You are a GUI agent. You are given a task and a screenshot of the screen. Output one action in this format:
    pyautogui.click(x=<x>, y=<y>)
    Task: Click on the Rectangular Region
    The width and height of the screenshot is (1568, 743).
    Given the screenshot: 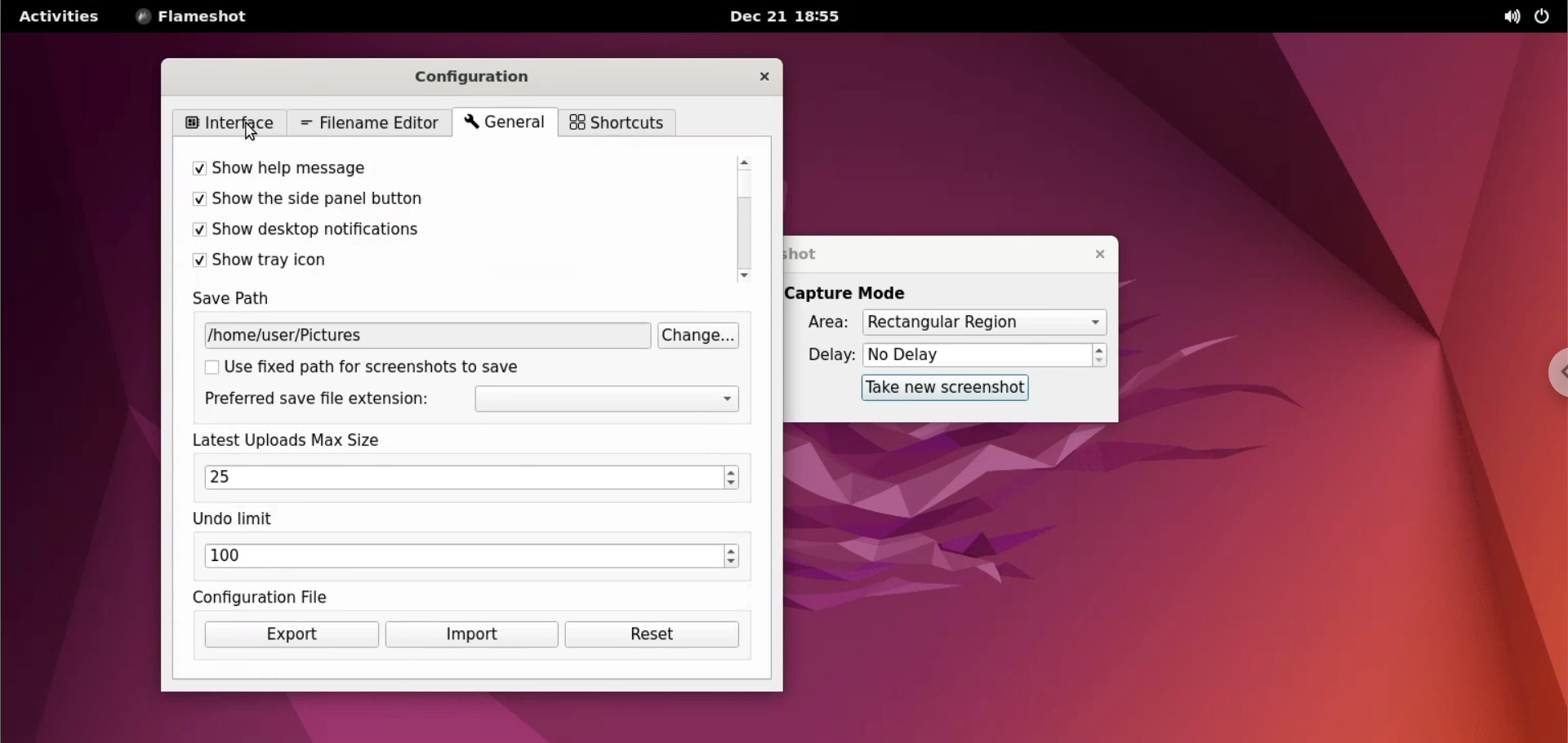 What is the action you would take?
    pyautogui.click(x=983, y=324)
    